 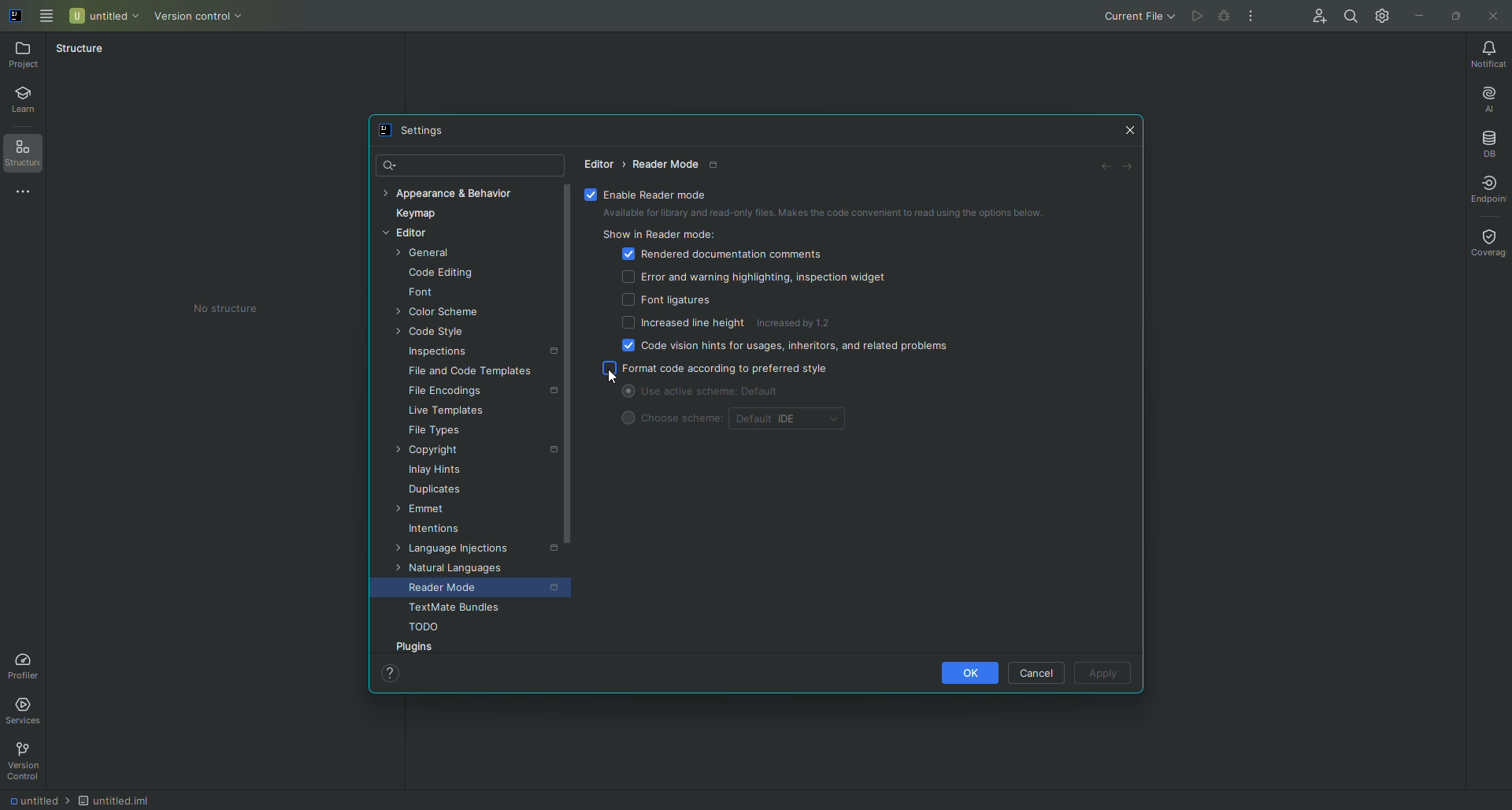 What do you see at coordinates (412, 129) in the screenshot?
I see `Settings` at bounding box center [412, 129].